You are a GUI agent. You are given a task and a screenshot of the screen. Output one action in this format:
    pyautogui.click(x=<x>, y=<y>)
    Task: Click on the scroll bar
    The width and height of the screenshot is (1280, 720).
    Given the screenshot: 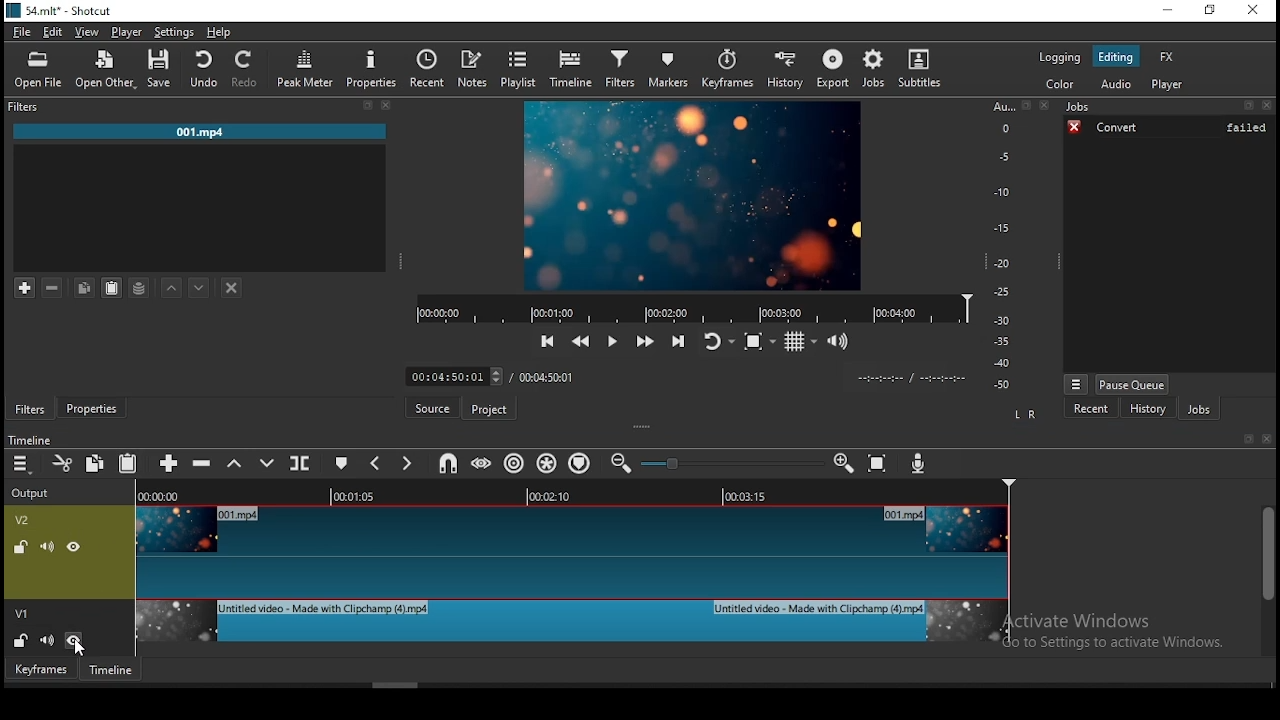 What is the action you would take?
    pyautogui.click(x=1268, y=580)
    